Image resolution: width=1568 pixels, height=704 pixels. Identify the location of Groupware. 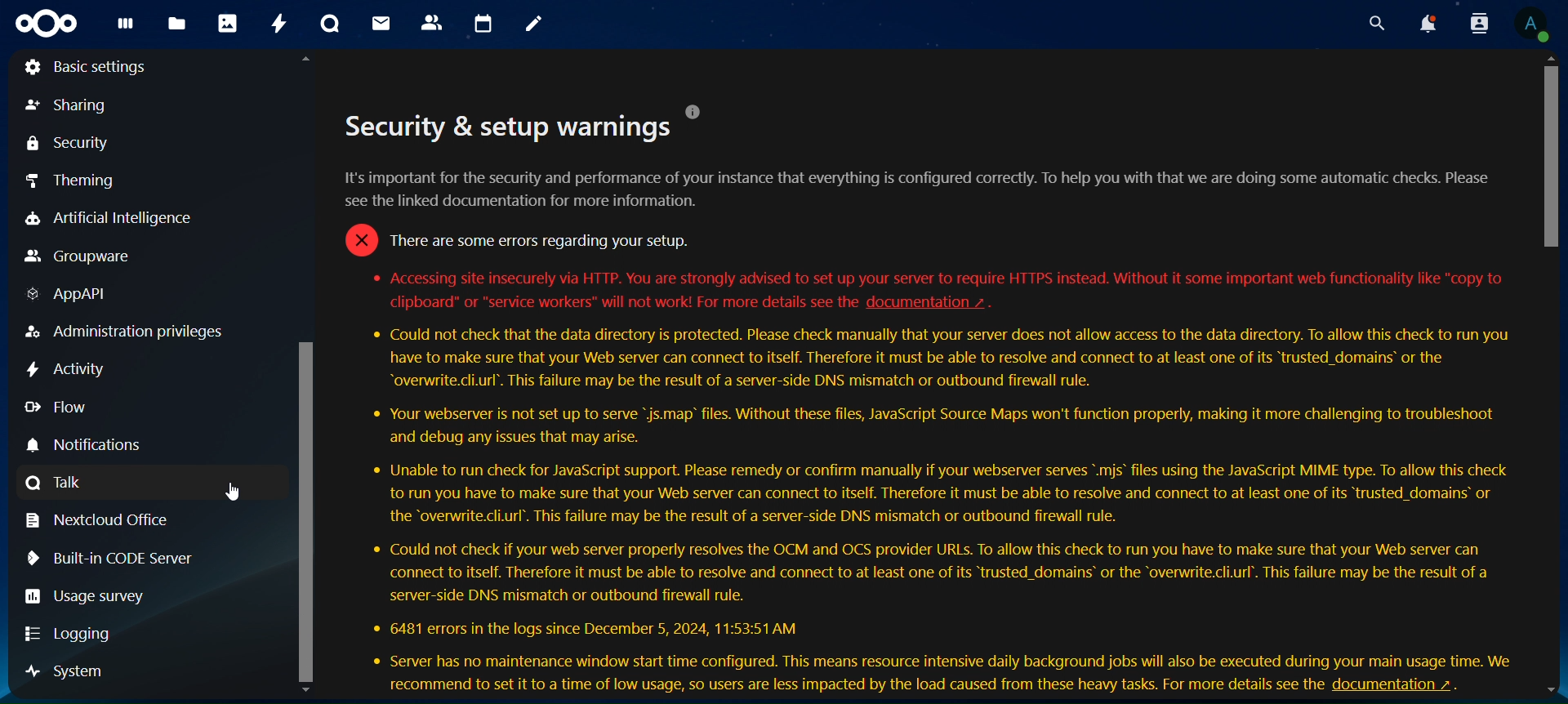
(80, 256).